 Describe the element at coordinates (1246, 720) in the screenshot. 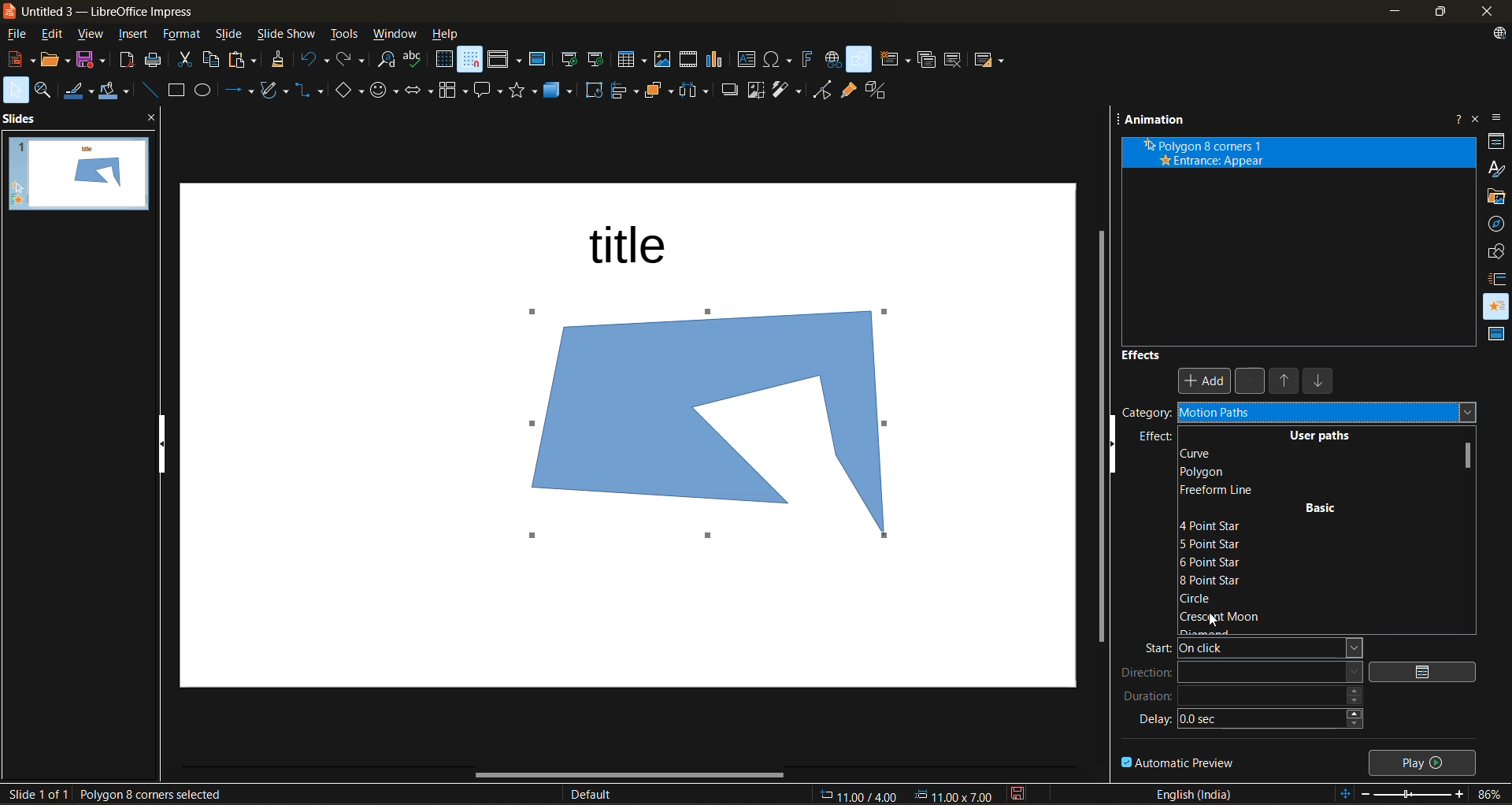

I see `delay` at that location.